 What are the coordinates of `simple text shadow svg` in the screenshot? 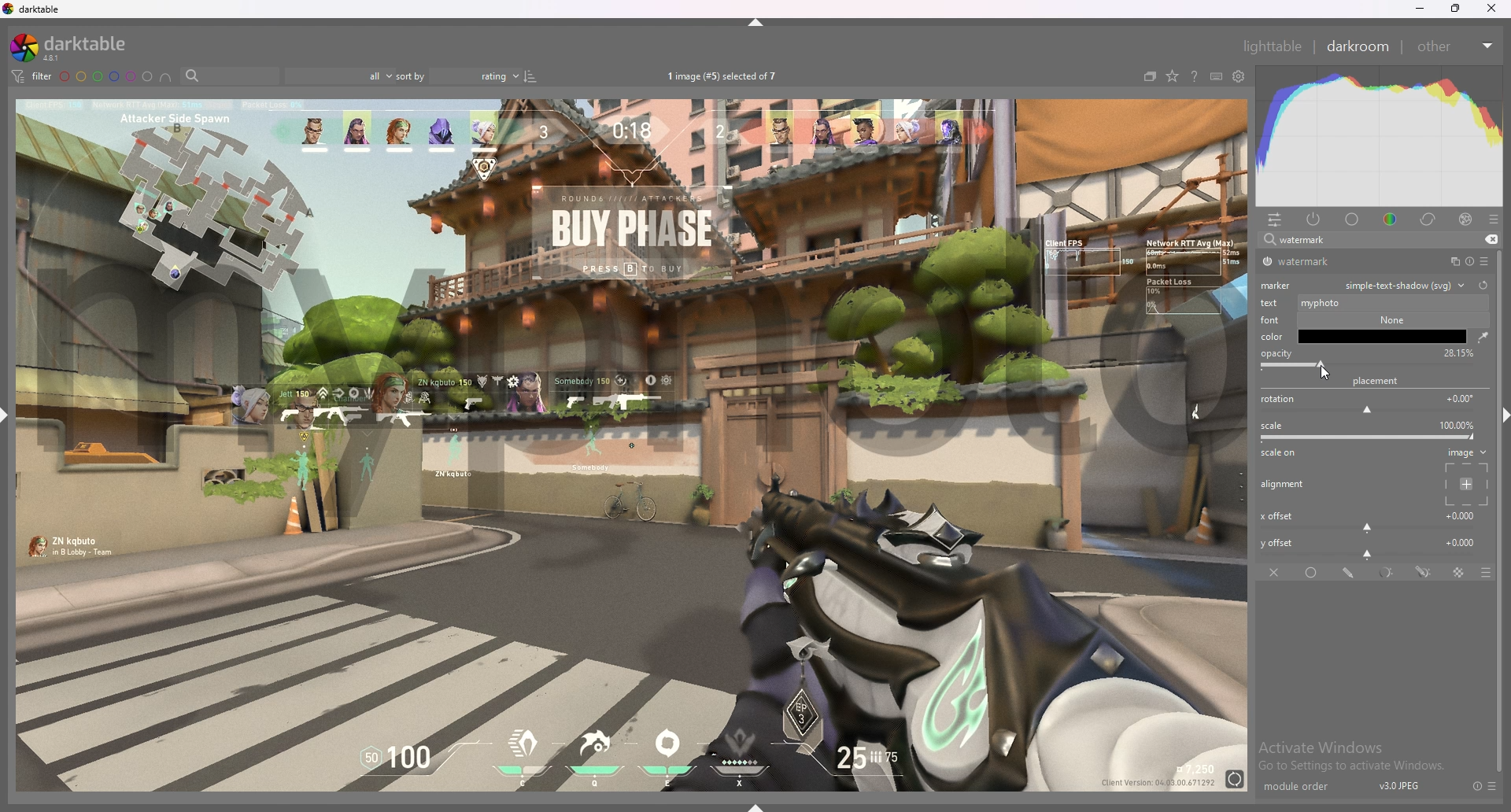 It's located at (1406, 285).